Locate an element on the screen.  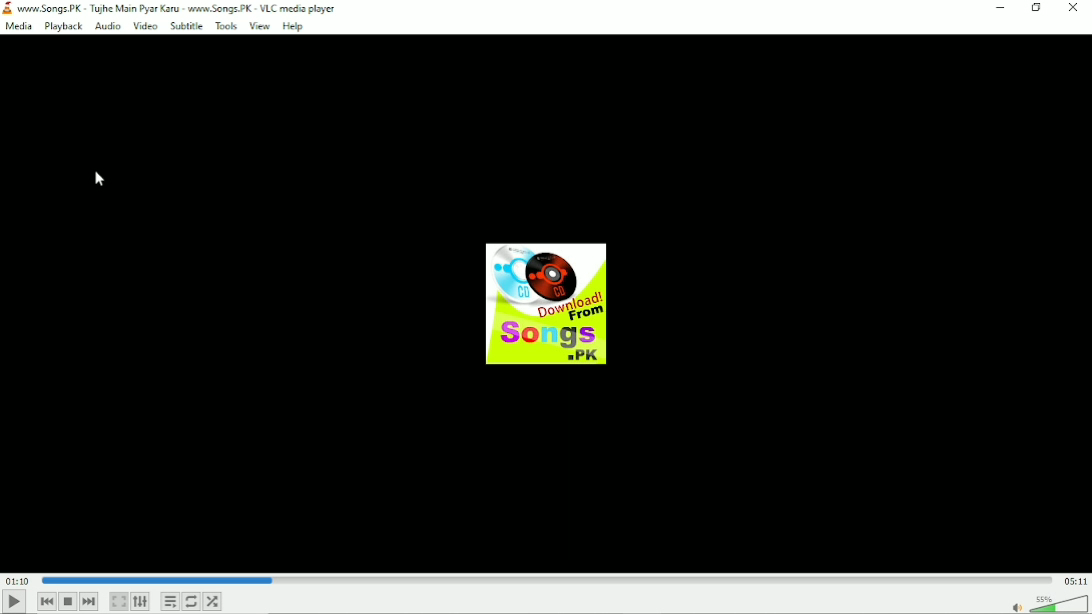
logo is located at coordinates (8, 9).